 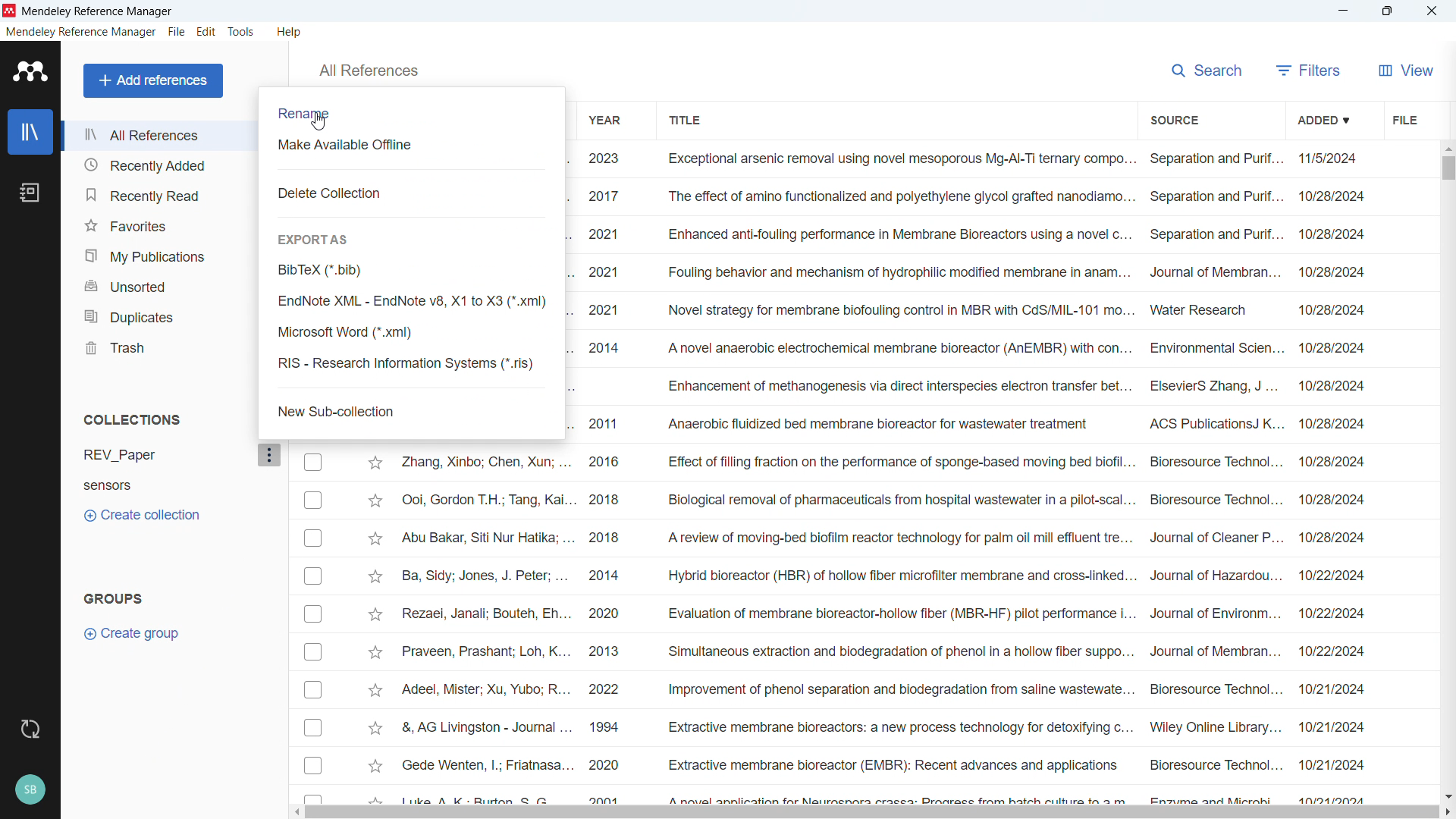 What do you see at coordinates (300, 812) in the screenshot?
I see `Scroll left ` at bounding box center [300, 812].